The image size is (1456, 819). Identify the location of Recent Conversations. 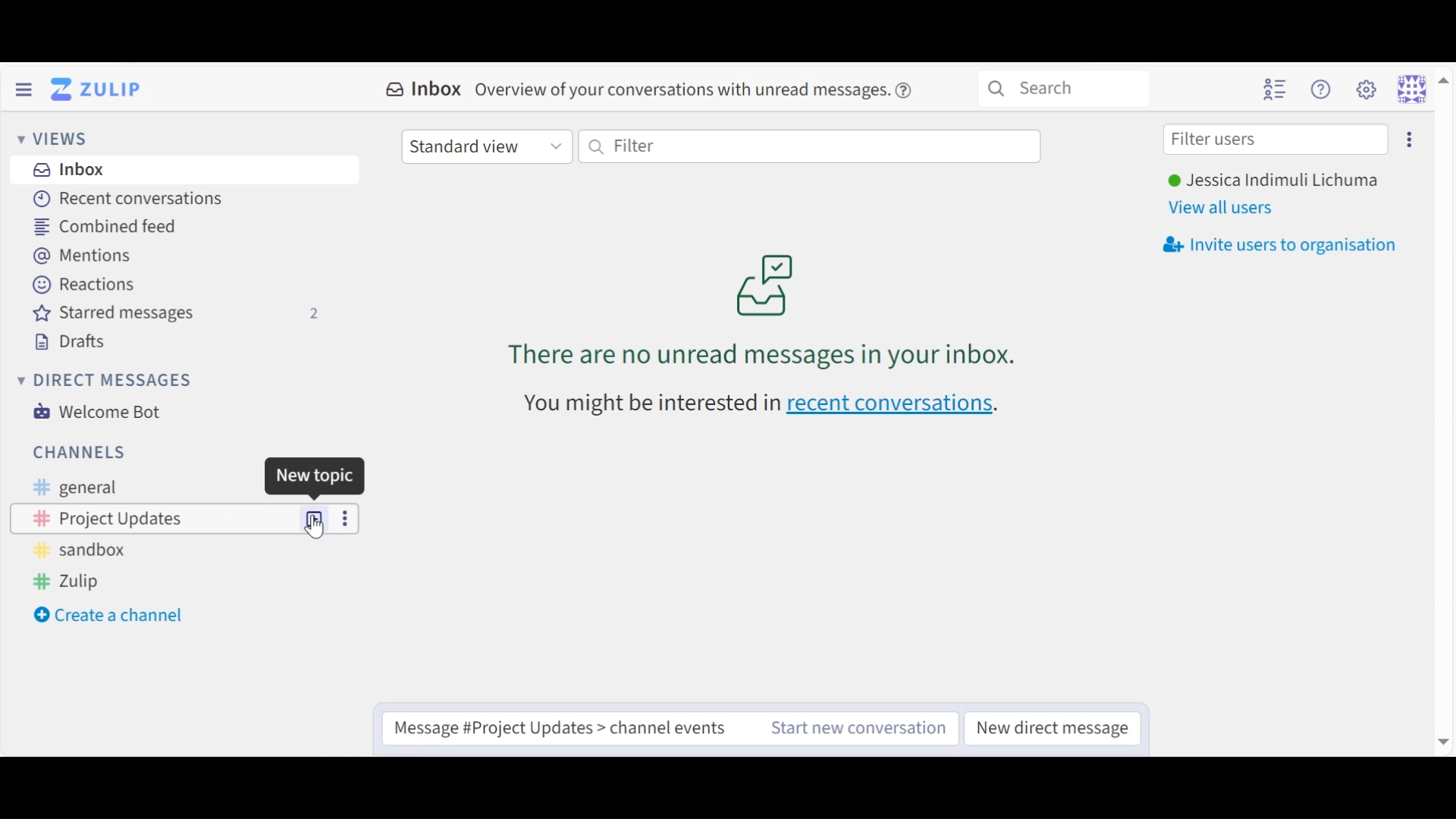
(130, 199).